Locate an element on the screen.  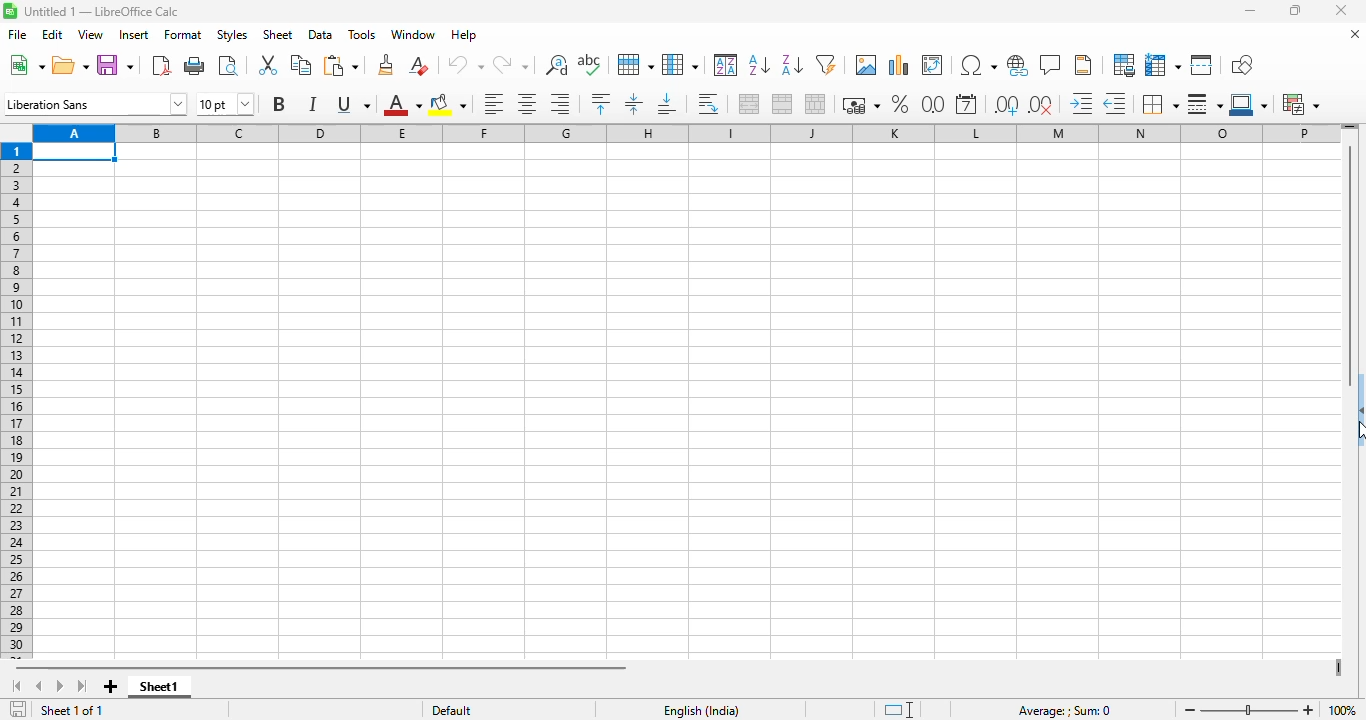
data is located at coordinates (321, 35).